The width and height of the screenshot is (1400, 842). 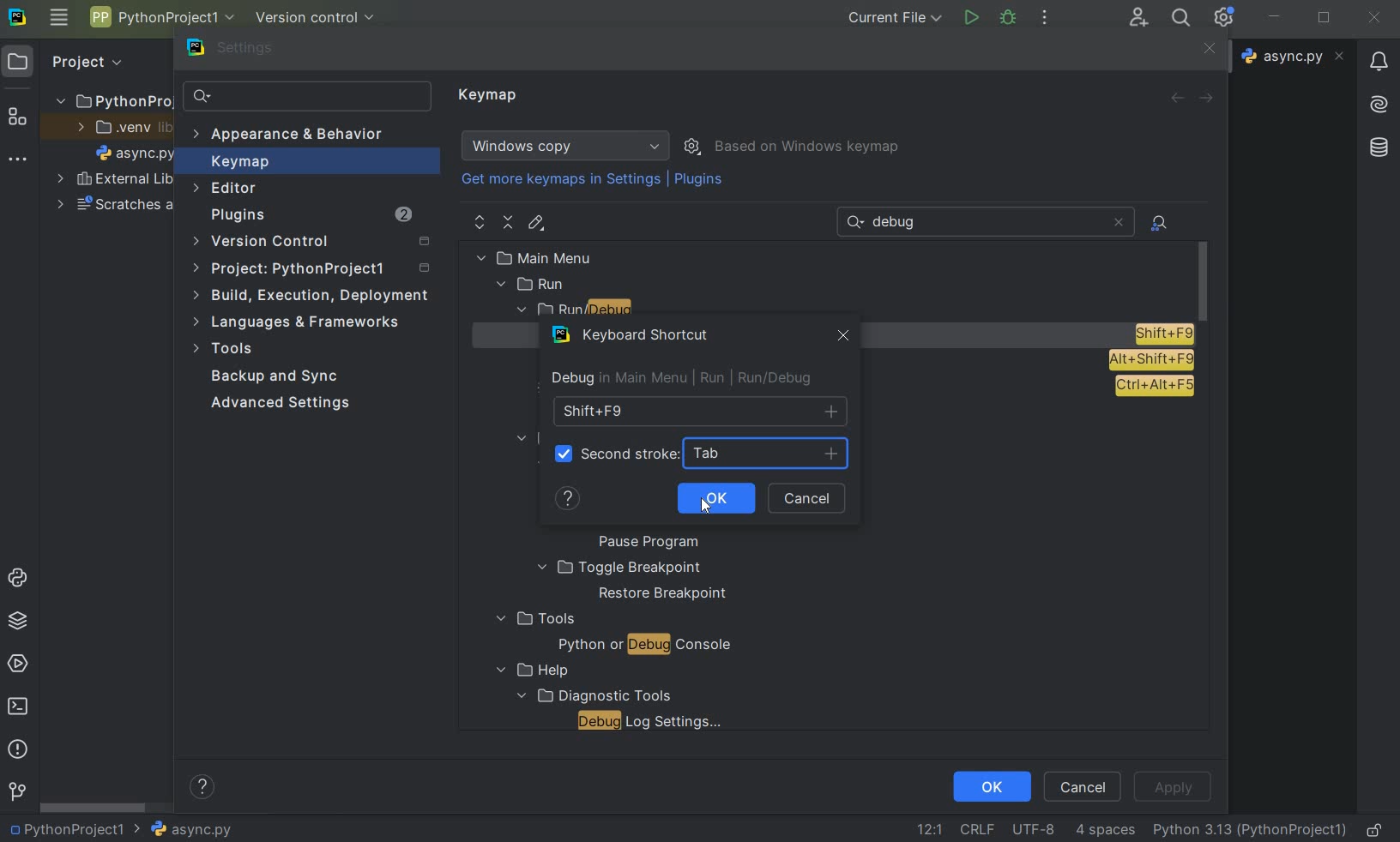 I want to click on ok, so click(x=991, y=785).